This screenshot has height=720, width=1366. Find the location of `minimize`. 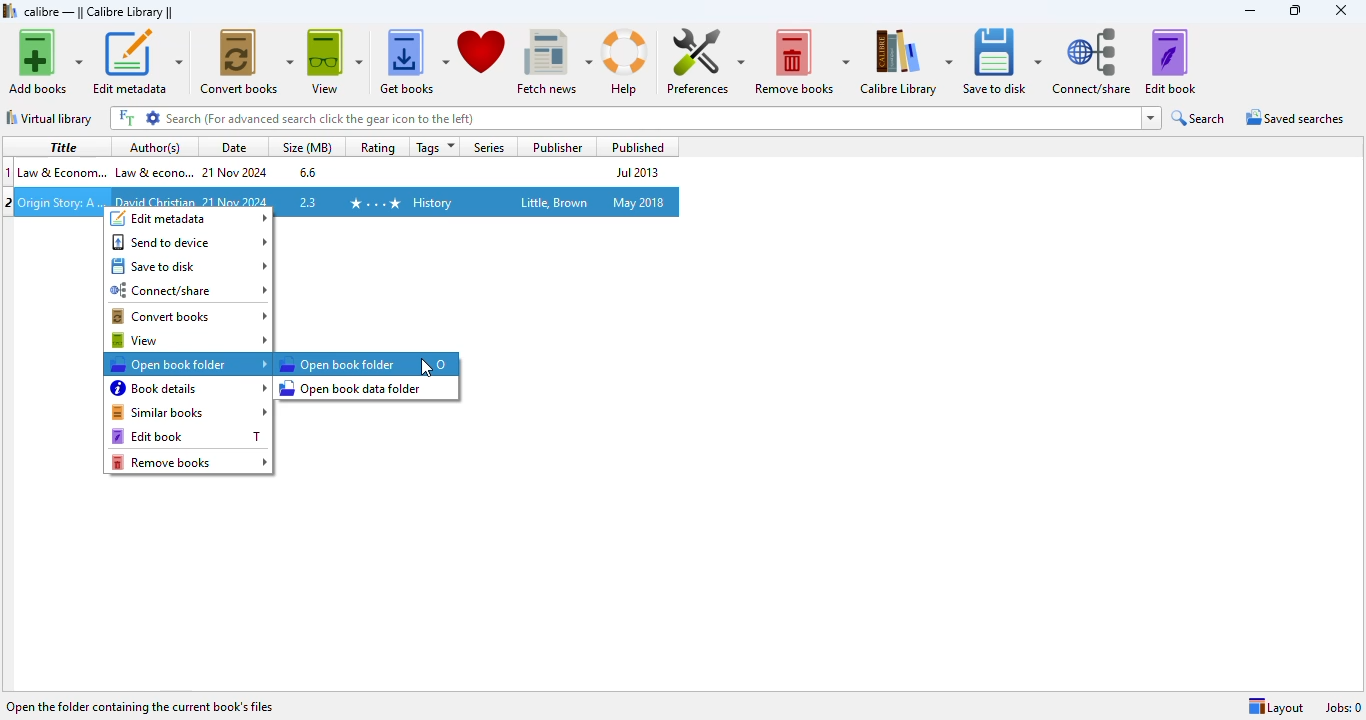

minimize is located at coordinates (1249, 10).